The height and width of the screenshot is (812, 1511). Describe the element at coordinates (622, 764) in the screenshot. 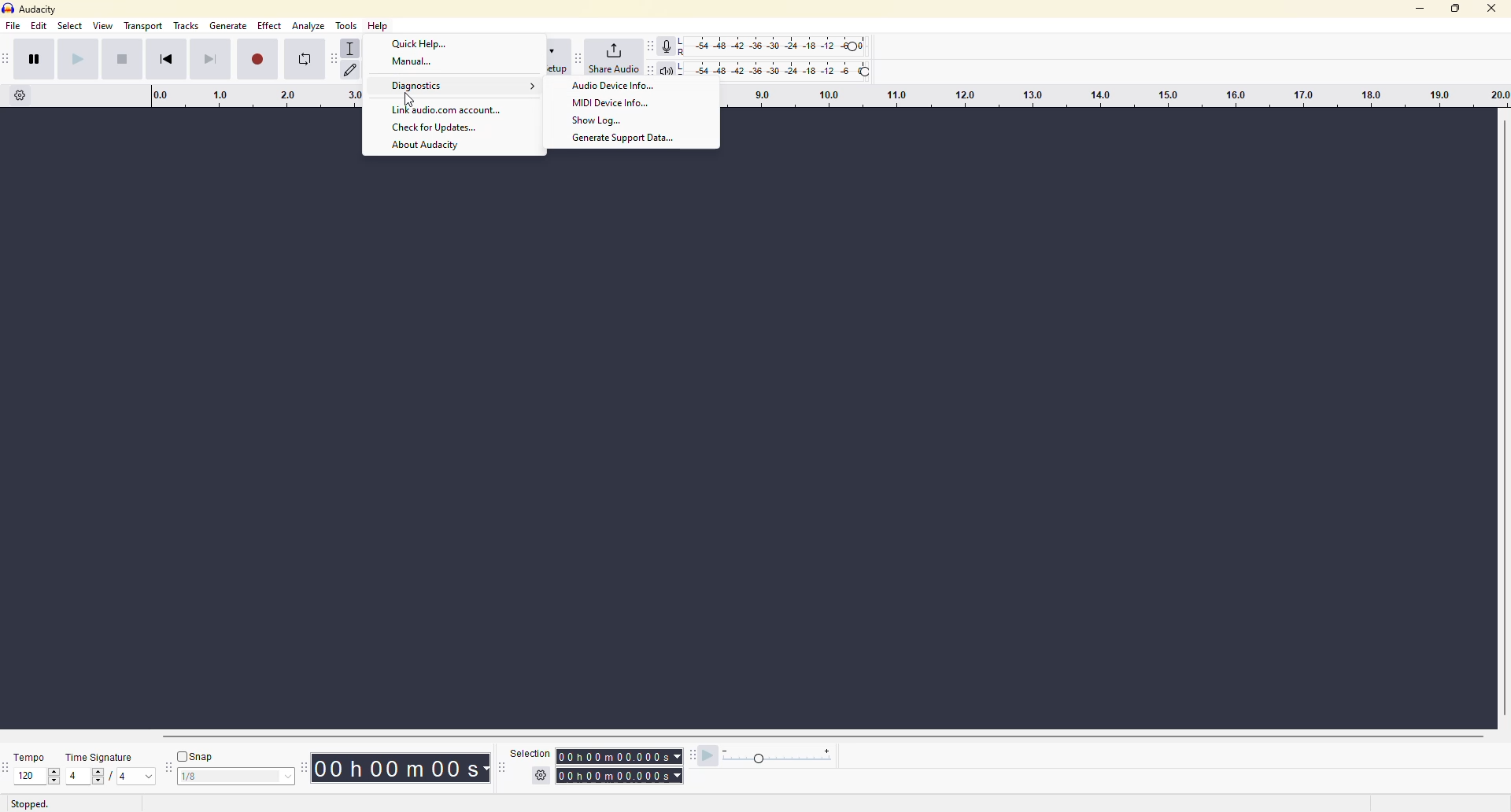

I see `time` at that location.